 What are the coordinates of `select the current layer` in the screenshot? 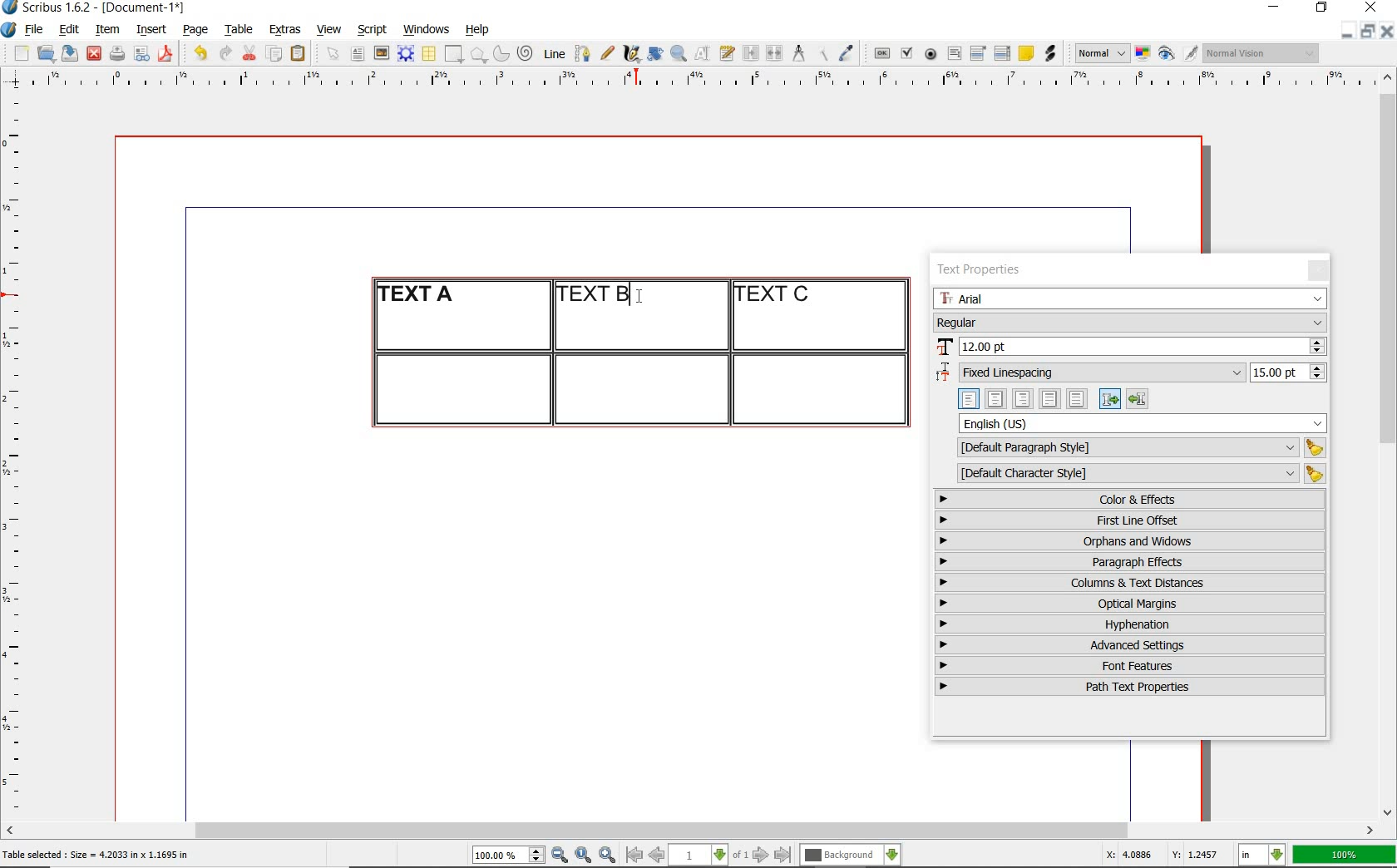 It's located at (851, 856).